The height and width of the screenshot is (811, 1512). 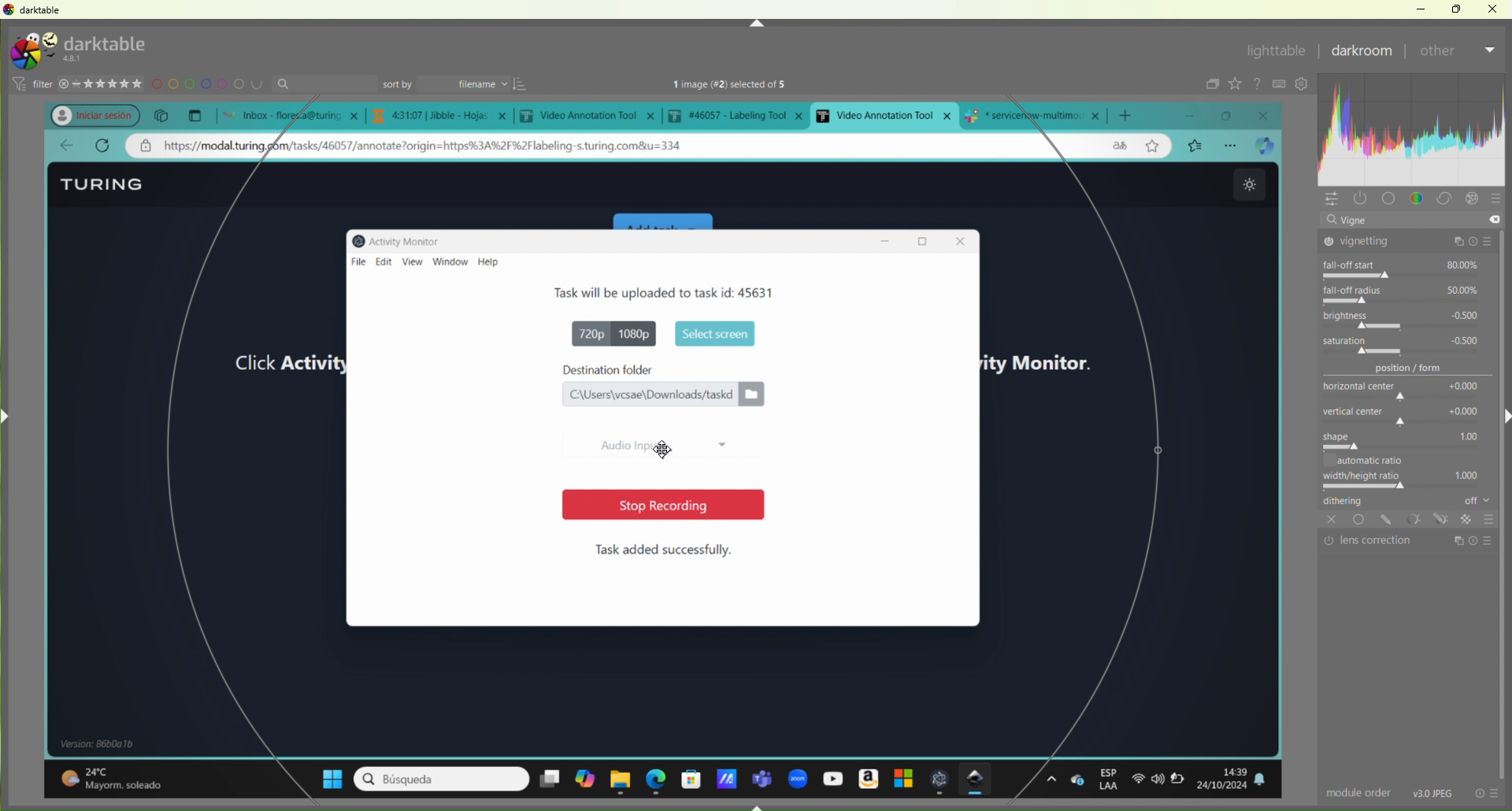 I want to click on vertical center, so click(x=1404, y=413).